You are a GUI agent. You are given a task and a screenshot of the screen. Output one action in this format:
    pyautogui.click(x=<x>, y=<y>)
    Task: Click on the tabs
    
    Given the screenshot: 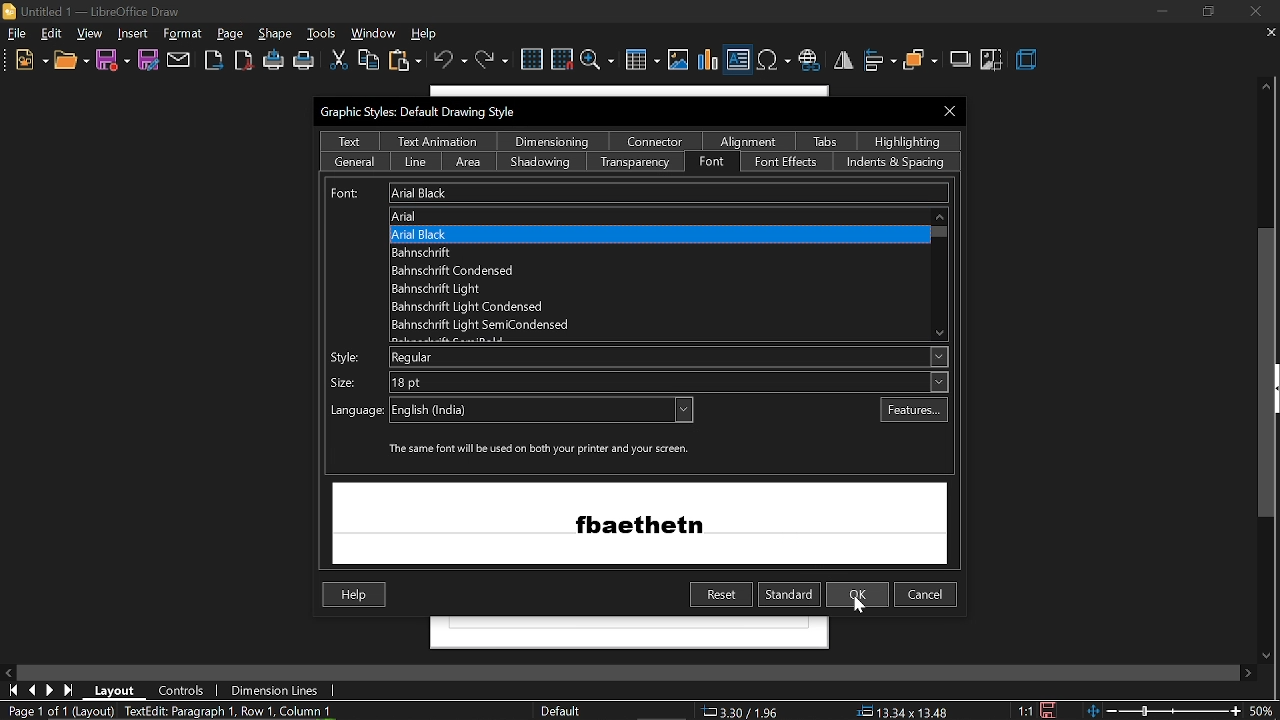 What is the action you would take?
    pyautogui.click(x=825, y=141)
    